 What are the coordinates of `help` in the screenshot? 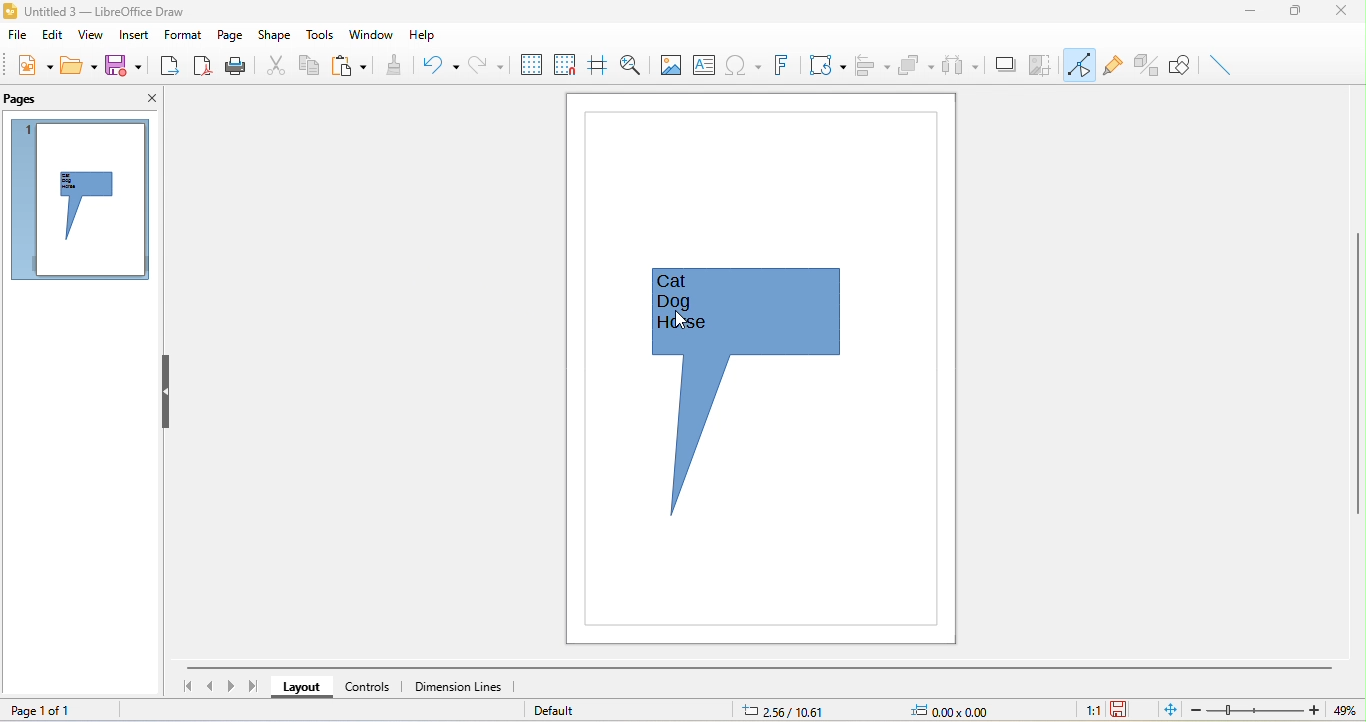 It's located at (421, 36).